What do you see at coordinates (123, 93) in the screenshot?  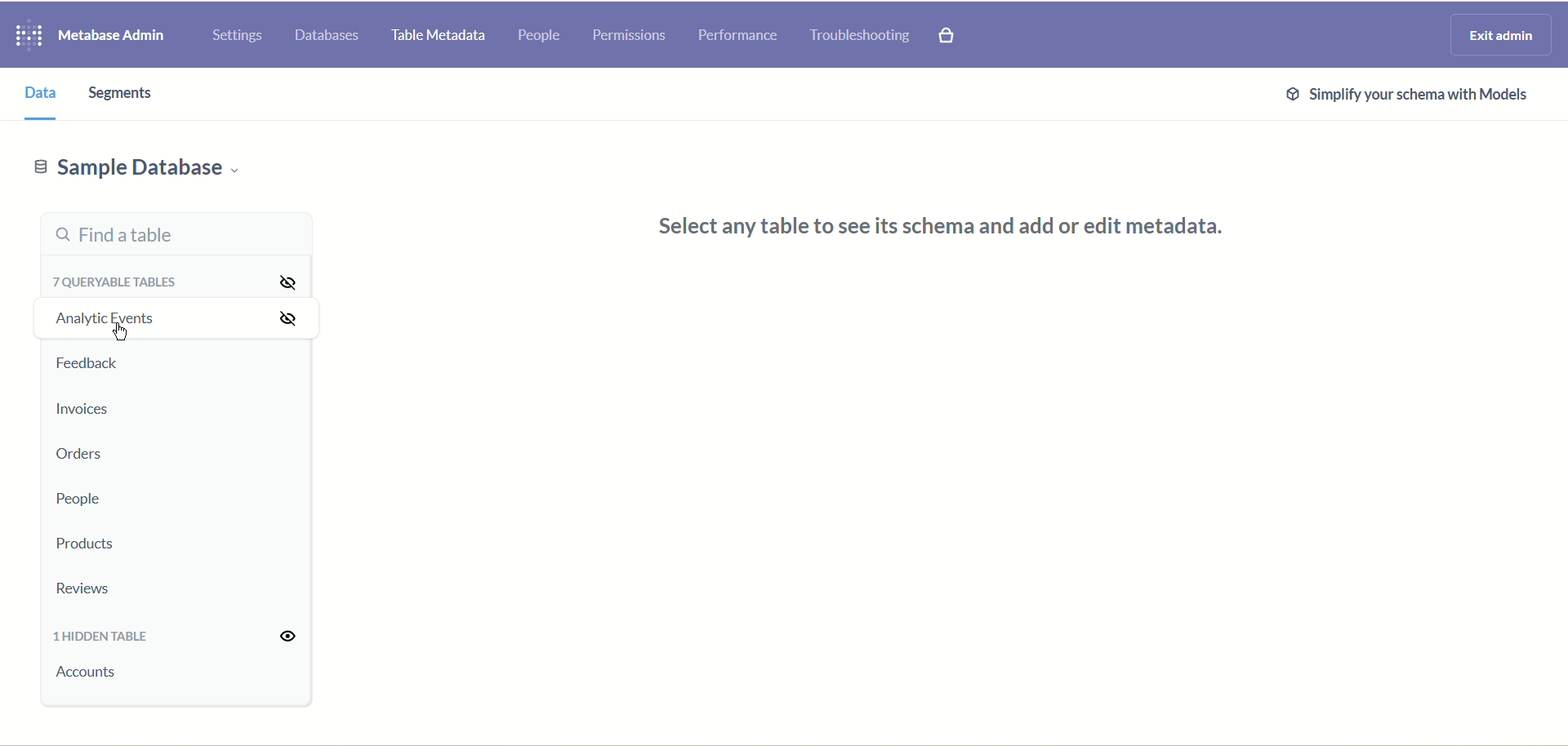 I see `segments` at bounding box center [123, 93].